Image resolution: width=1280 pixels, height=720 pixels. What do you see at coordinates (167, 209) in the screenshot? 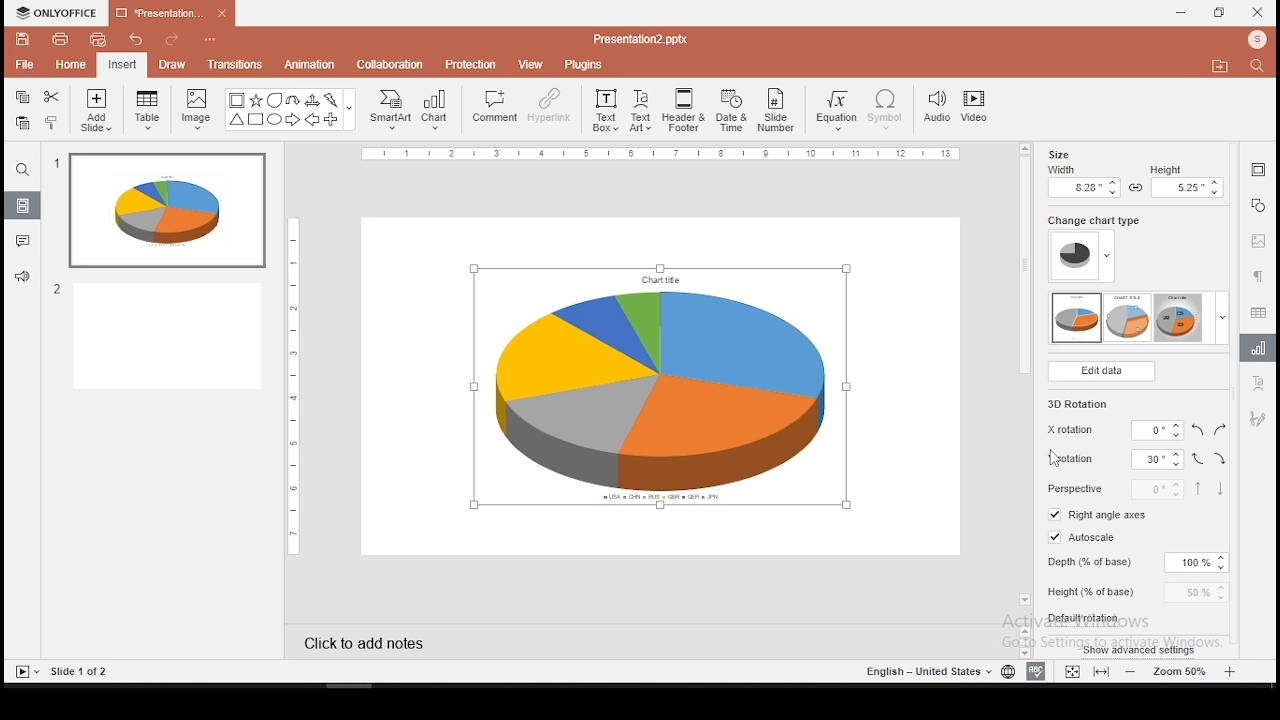
I see `slide 1` at bounding box center [167, 209].